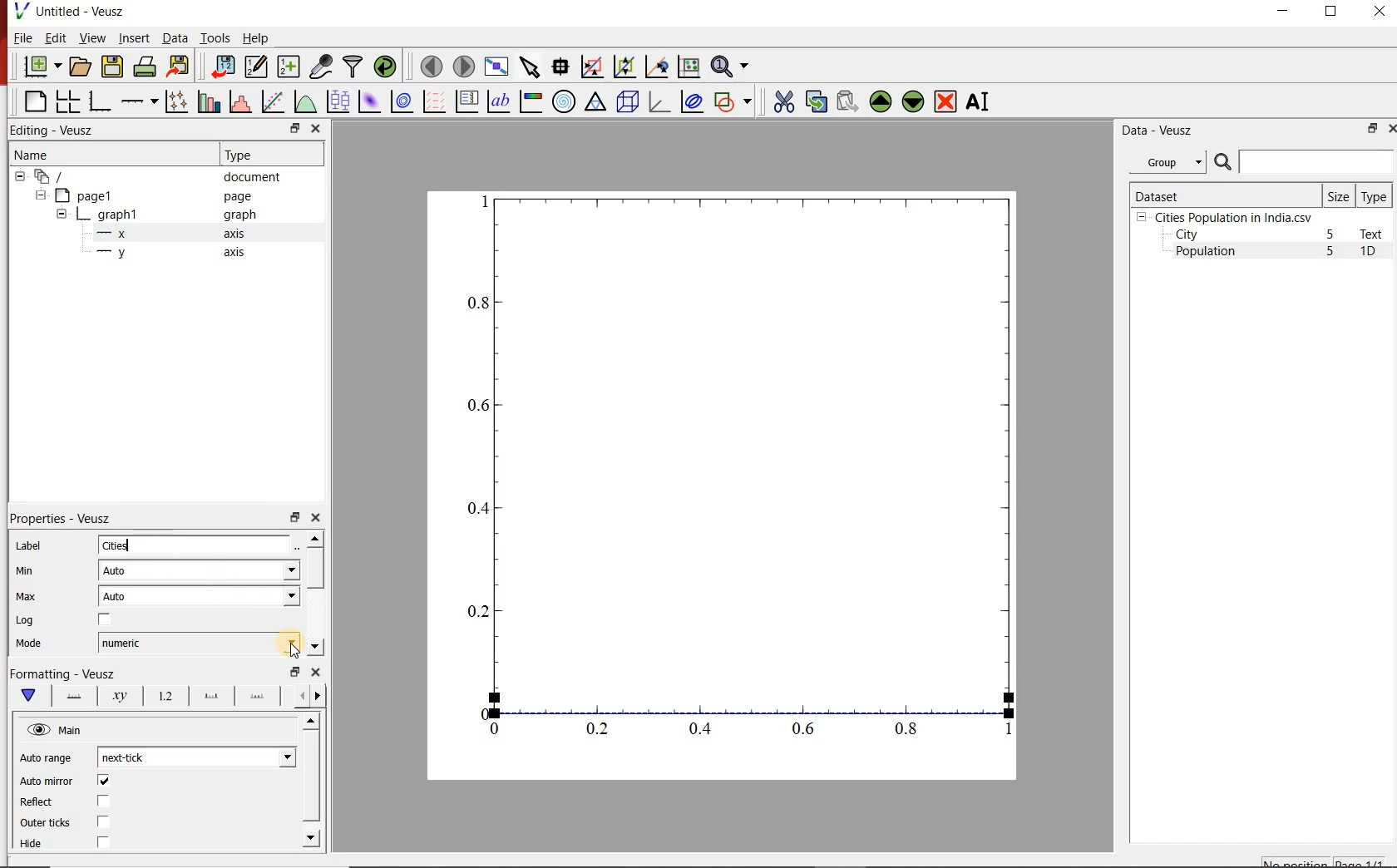 Image resolution: width=1397 pixels, height=868 pixels. What do you see at coordinates (286, 67) in the screenshot?
I see `create new datasets using available options` at bounding box center [286, 67].